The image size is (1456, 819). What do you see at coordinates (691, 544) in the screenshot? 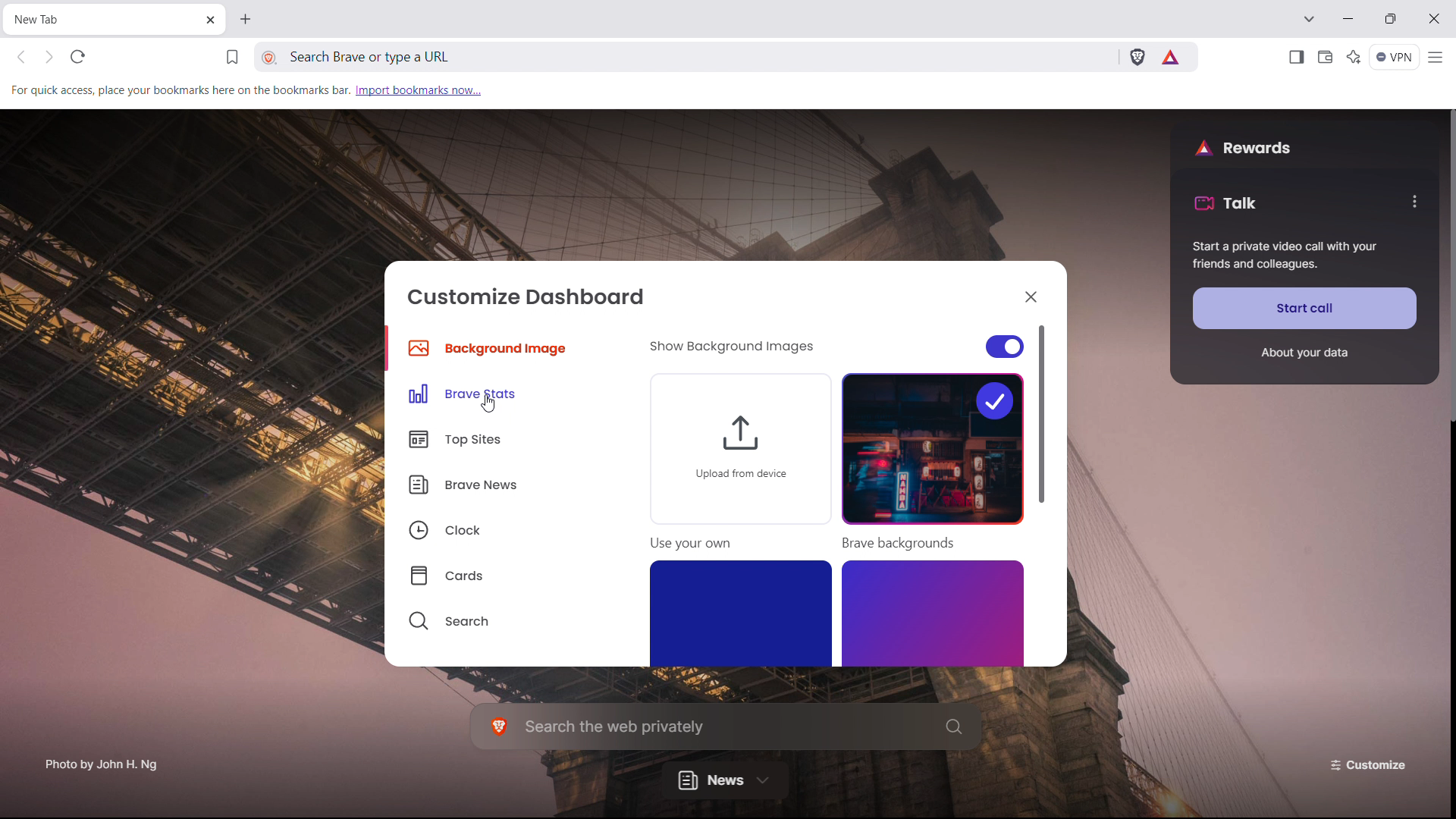
I see `Use your own` at bounding box center [691, 544].